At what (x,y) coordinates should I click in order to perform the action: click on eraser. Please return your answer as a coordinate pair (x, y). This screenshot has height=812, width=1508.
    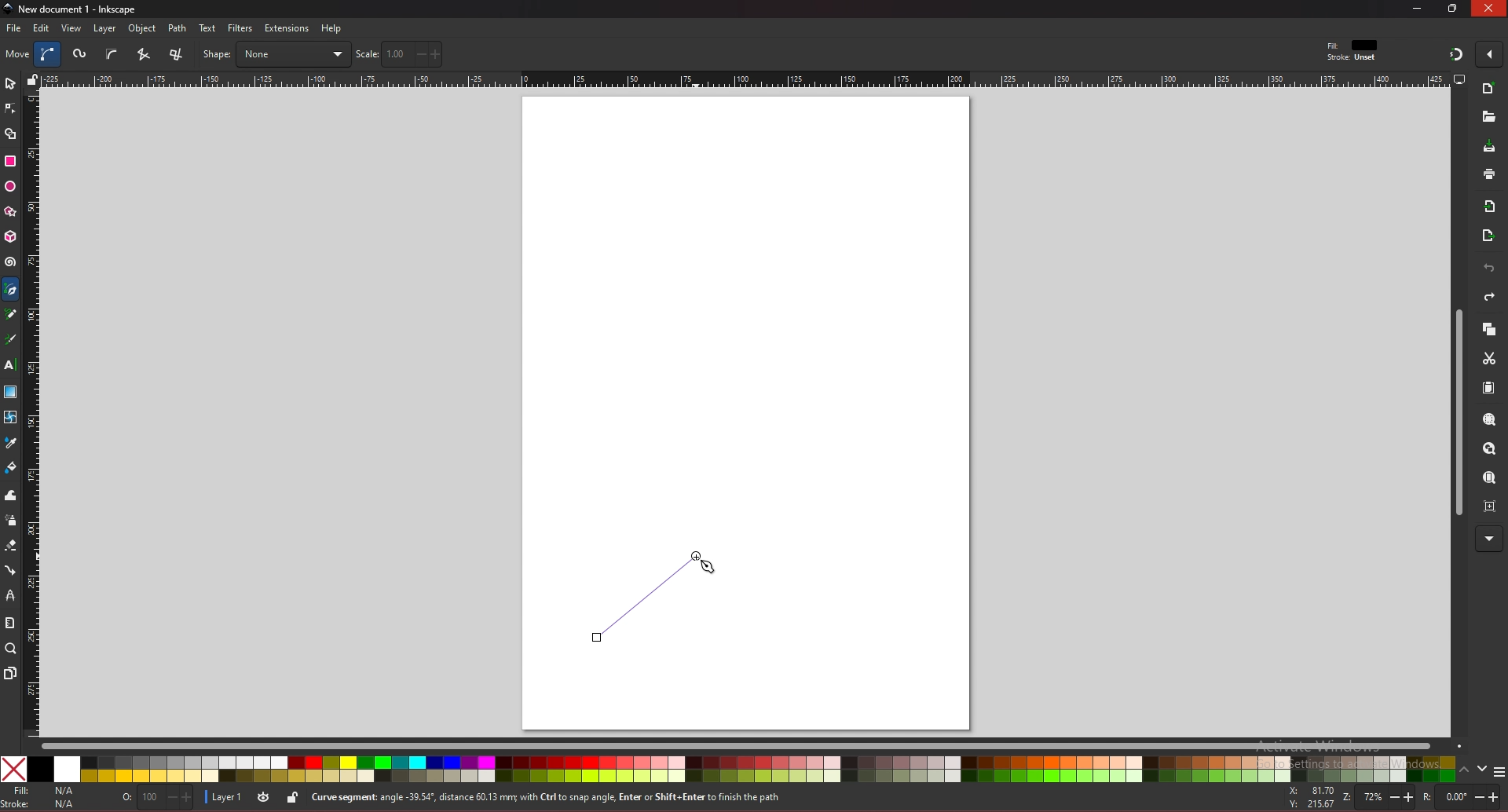
    Looking at the image, I should click on (10, 546).